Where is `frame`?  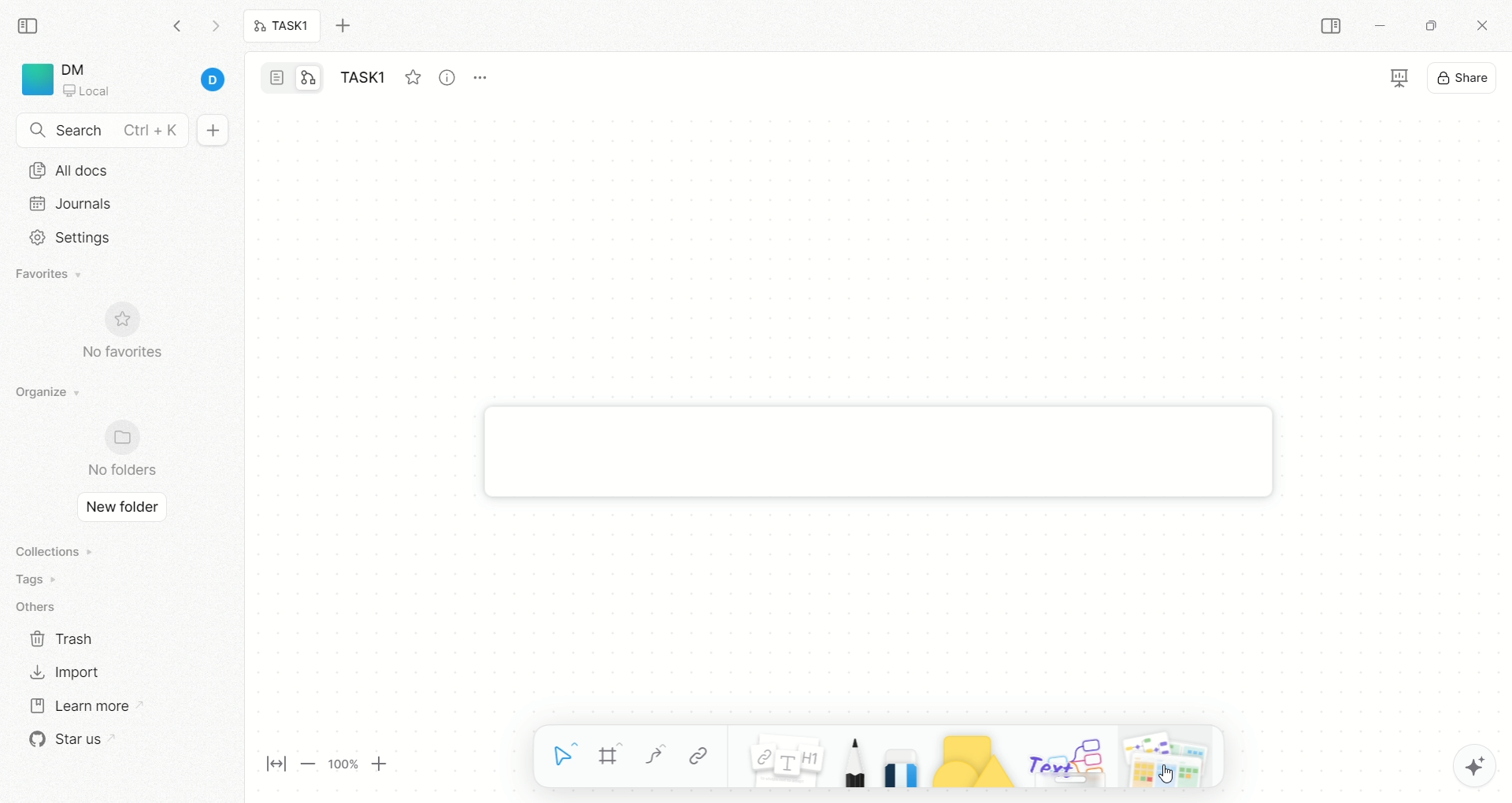
frame is located at coordinates (617, 758).